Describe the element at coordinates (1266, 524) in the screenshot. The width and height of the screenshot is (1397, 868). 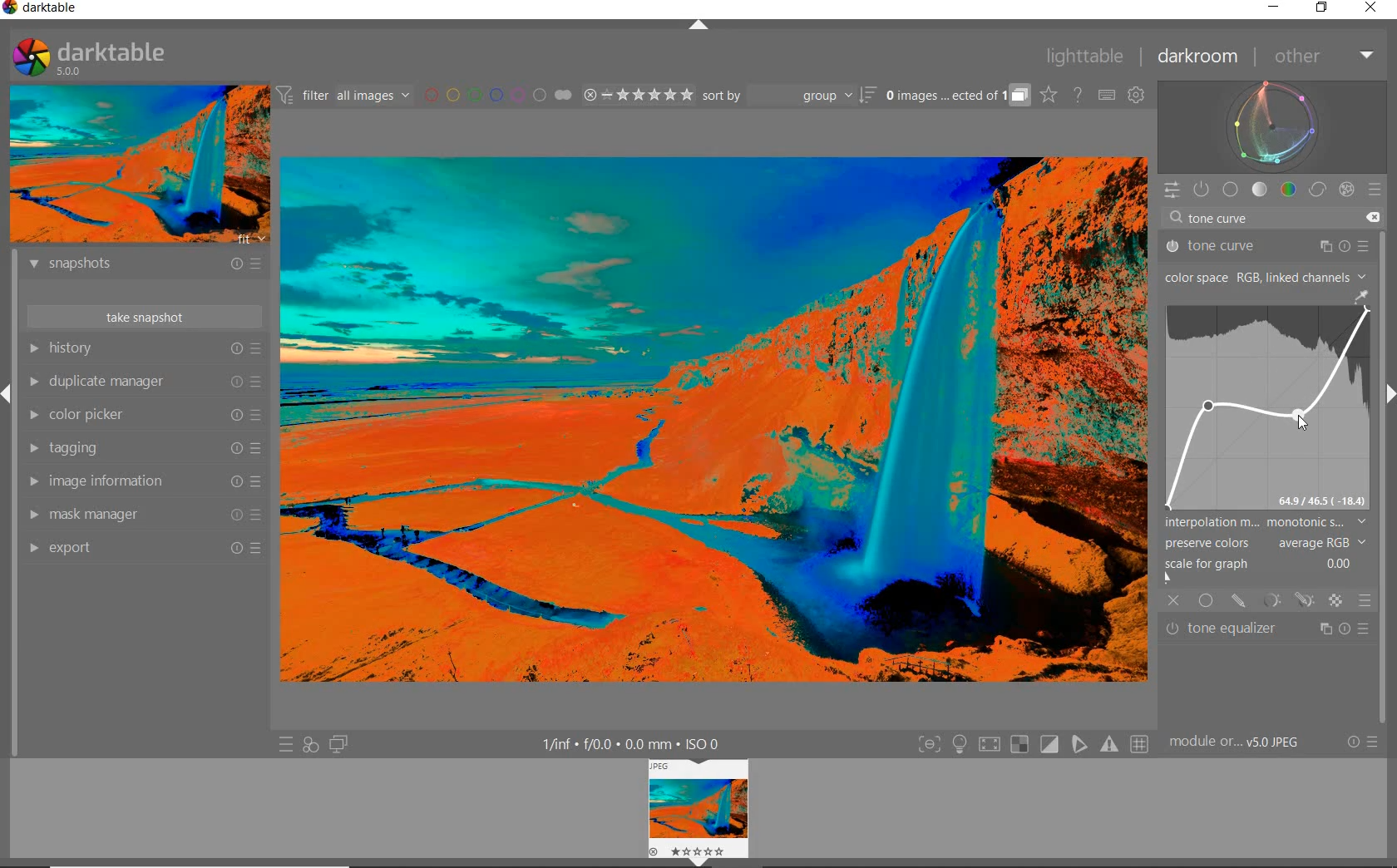
I see `INTERPOLATION` at that location.